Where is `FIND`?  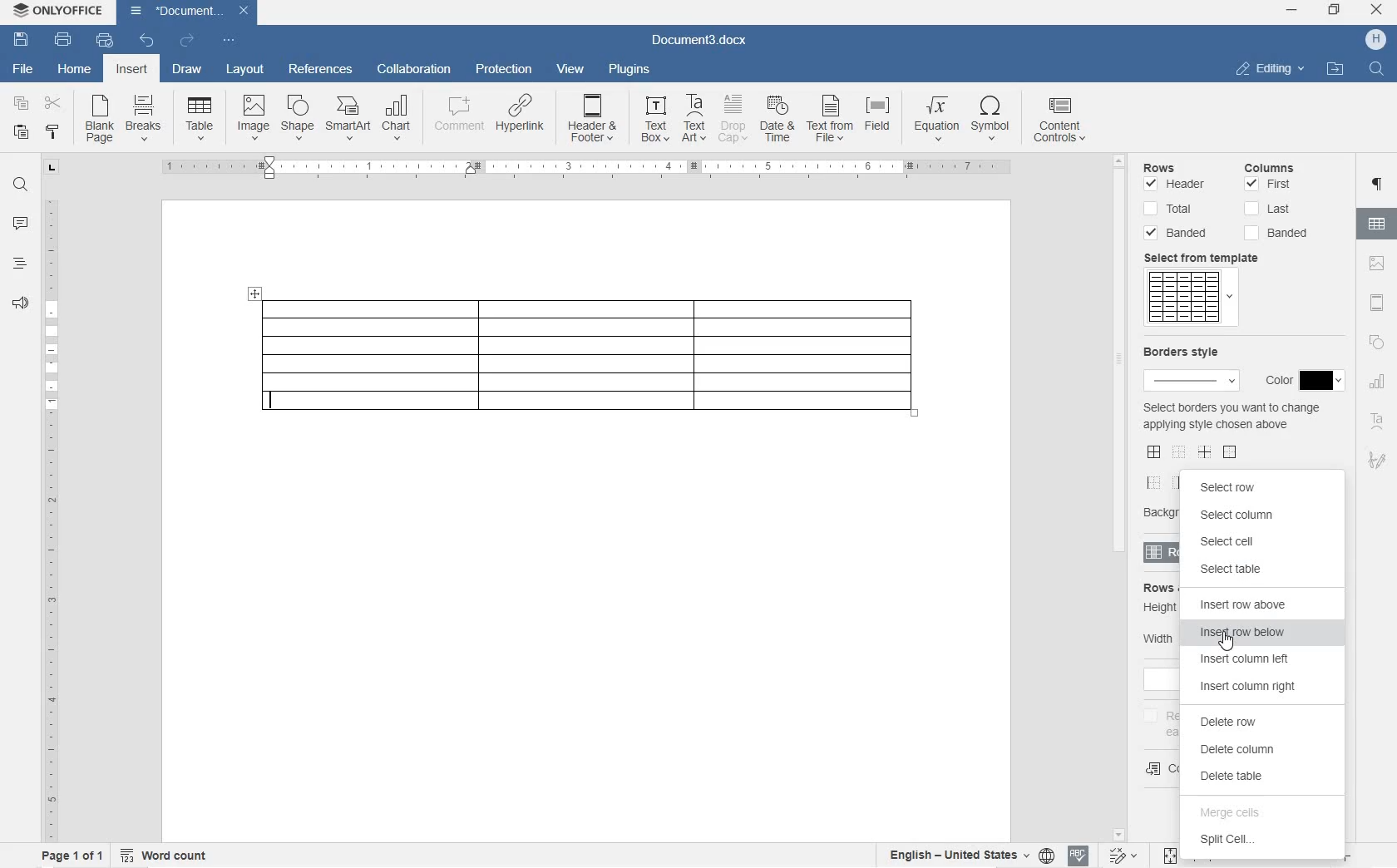
FIND is located at coordinates (20, 187).